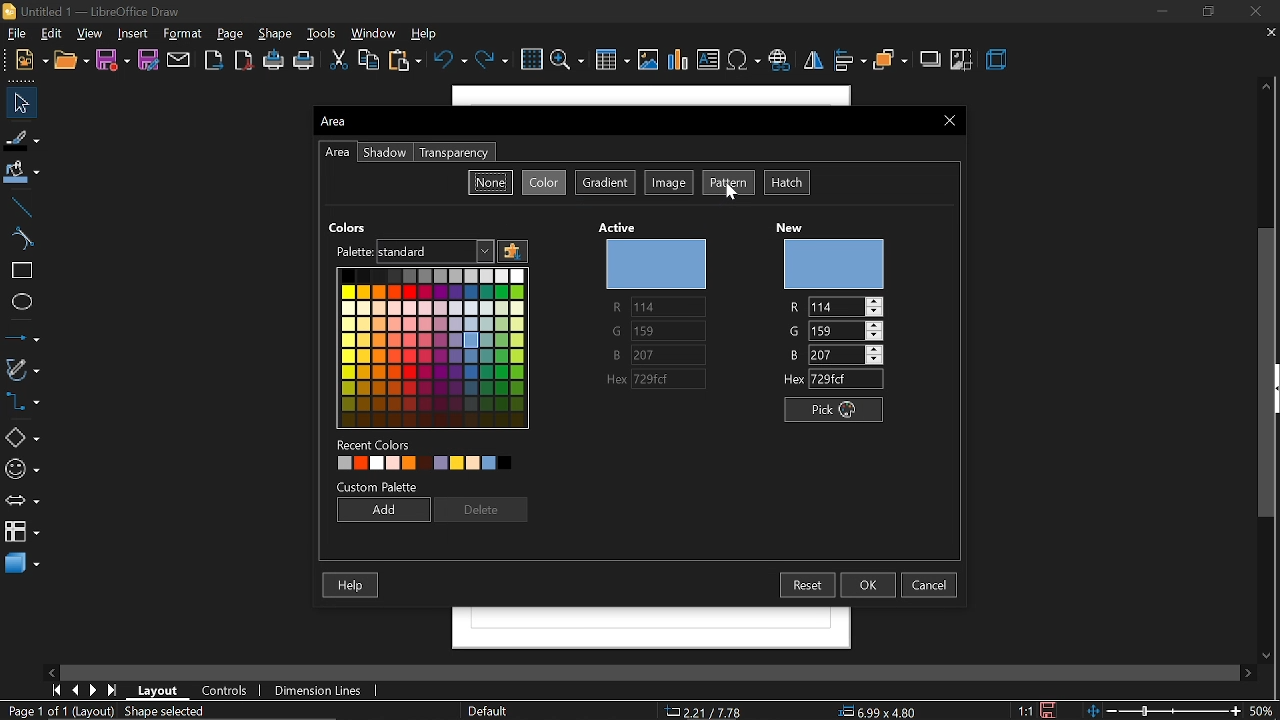 This screenshot has width=1280, height=720. What do you see at coordinates (645, 670) in the screenshot?
I see `Horizantal Sidebar` at bounding box center [645, 670].